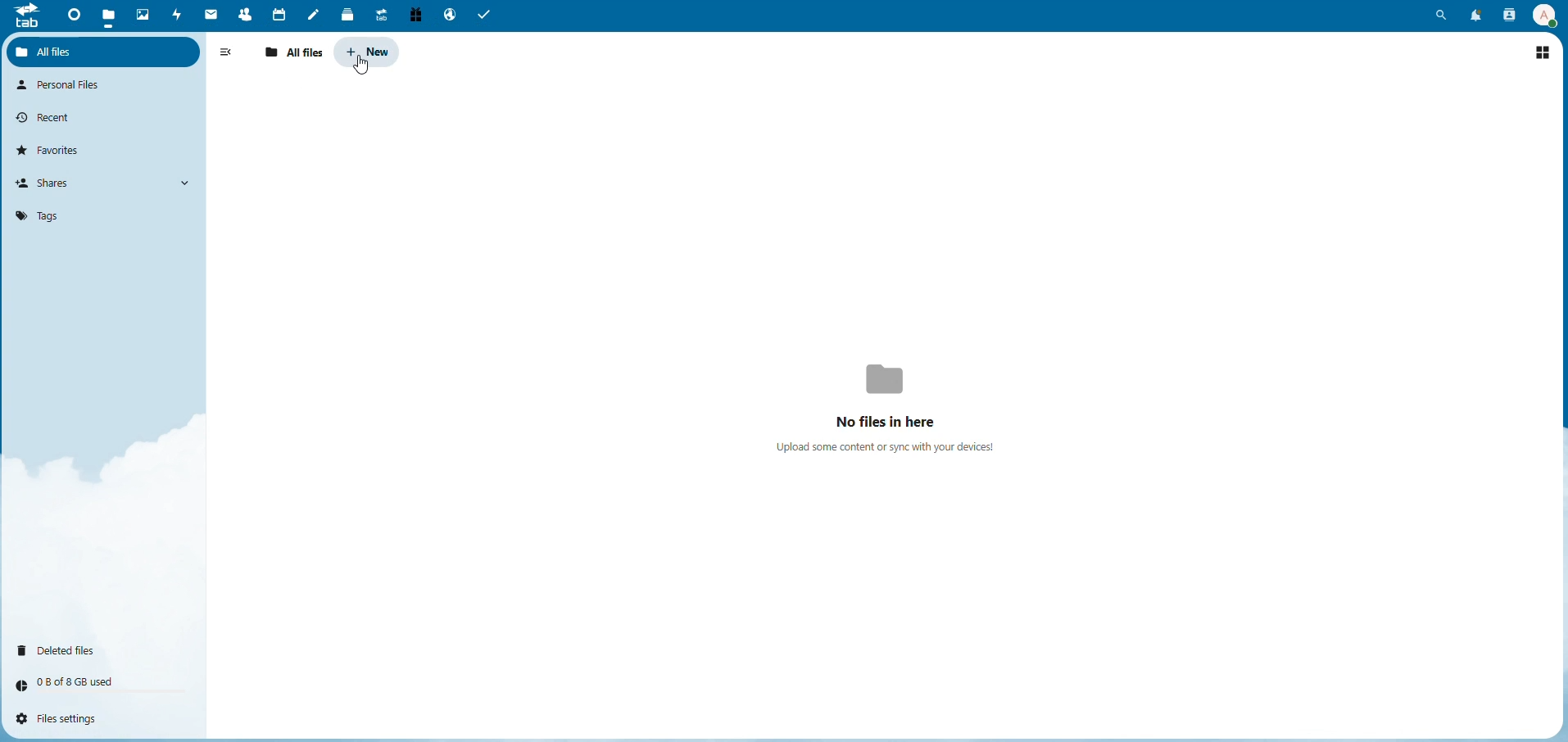  What do you see at coordinates (344, 14) in the screenshot?
I see `Deck` at bounding box center [344, 14].